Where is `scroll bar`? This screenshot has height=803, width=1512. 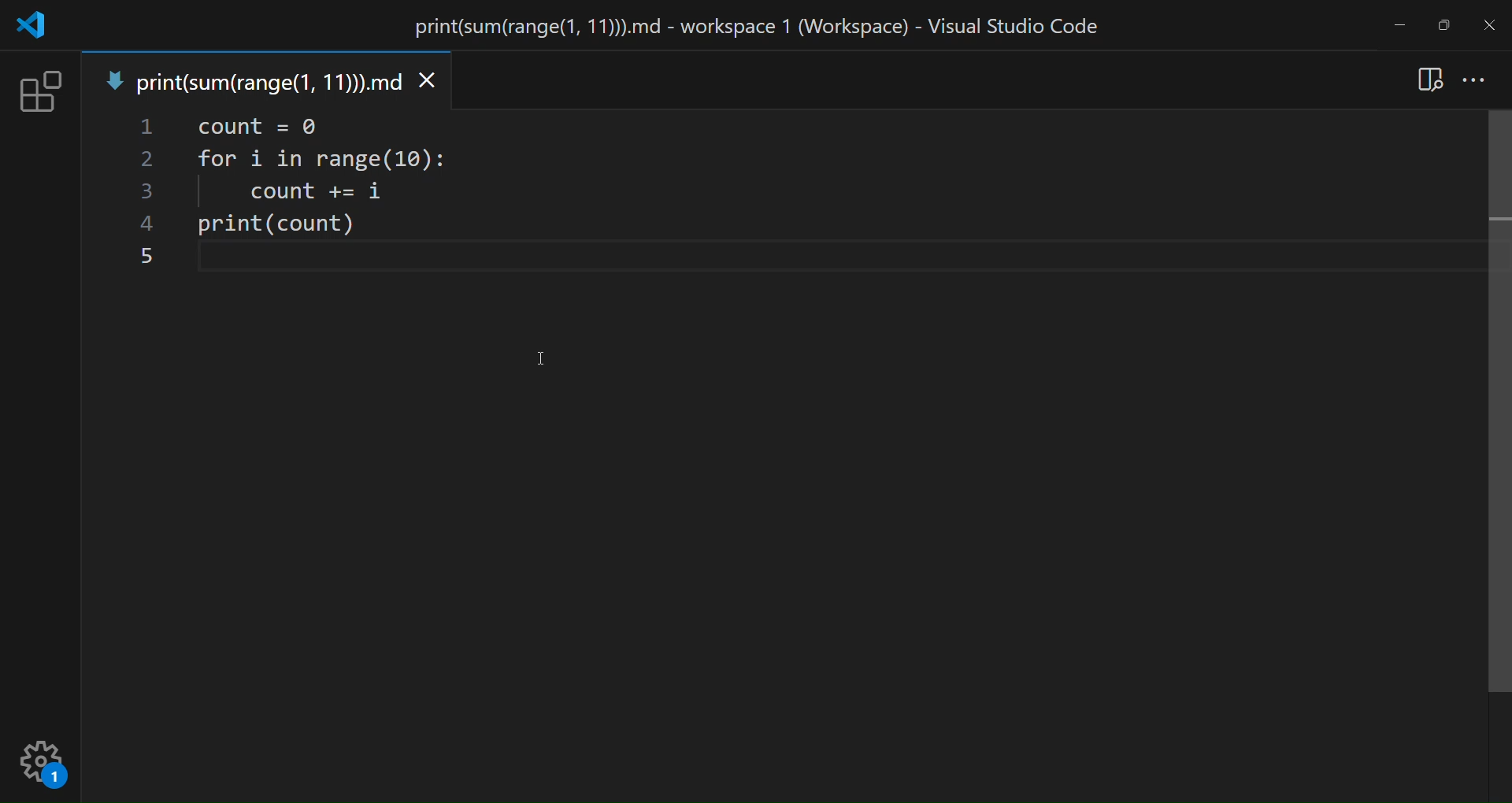 scroll bar is located at coordinates (1492, 407).